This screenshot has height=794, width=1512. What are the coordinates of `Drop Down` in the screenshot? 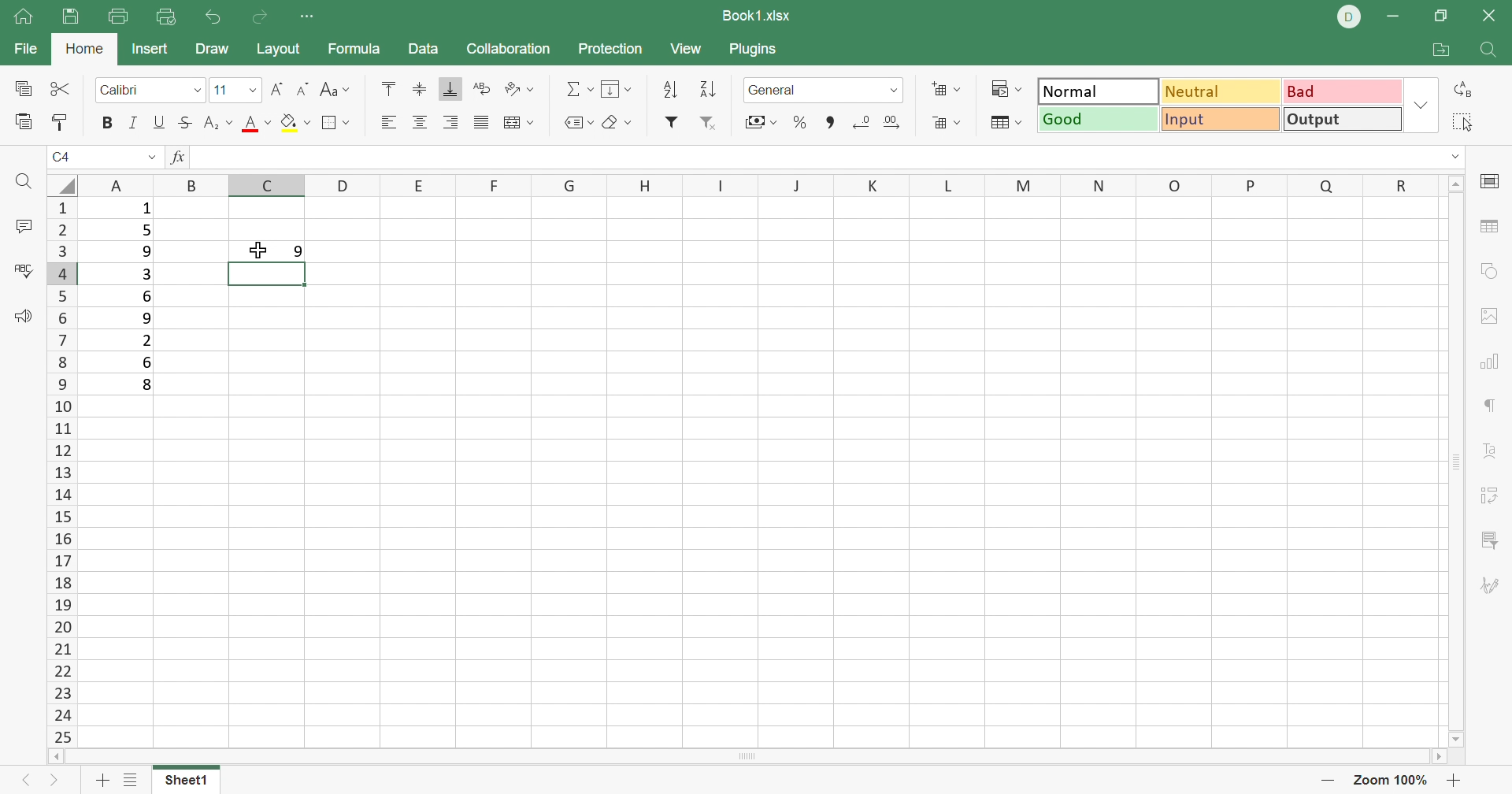 It's located at (895, 89).